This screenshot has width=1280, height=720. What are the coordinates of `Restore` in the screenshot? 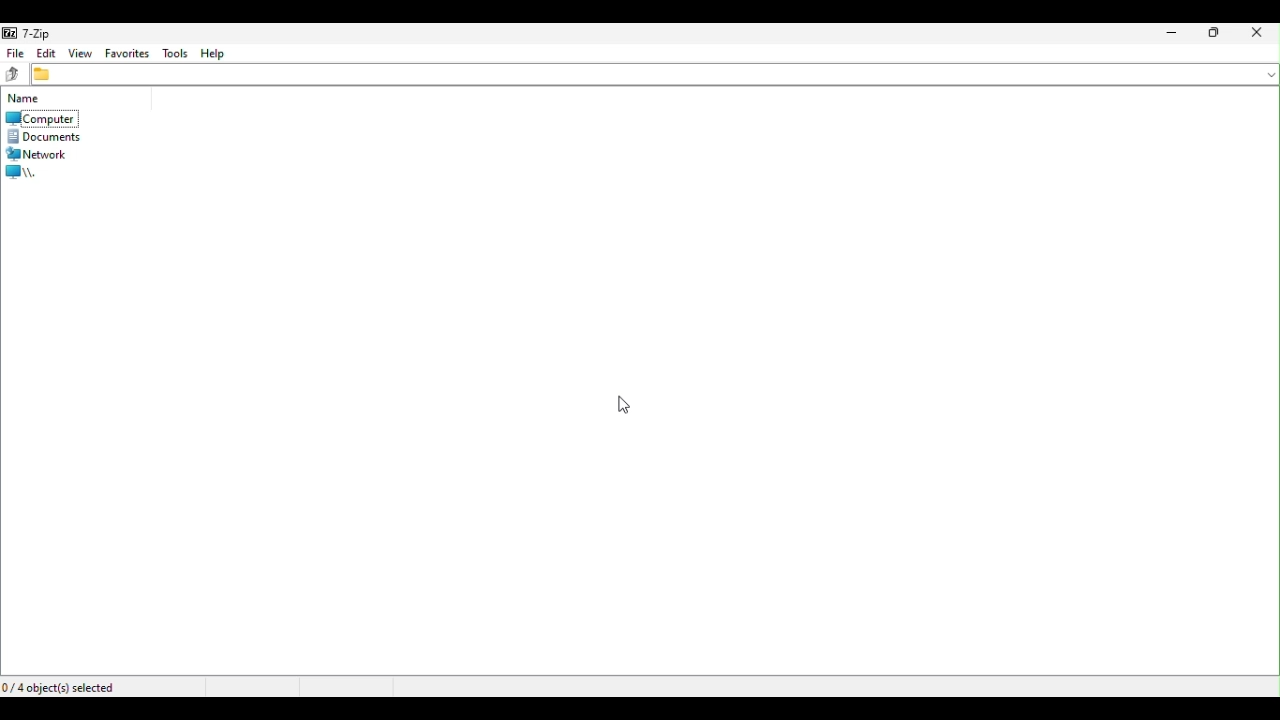 It's located at (1212, 33).